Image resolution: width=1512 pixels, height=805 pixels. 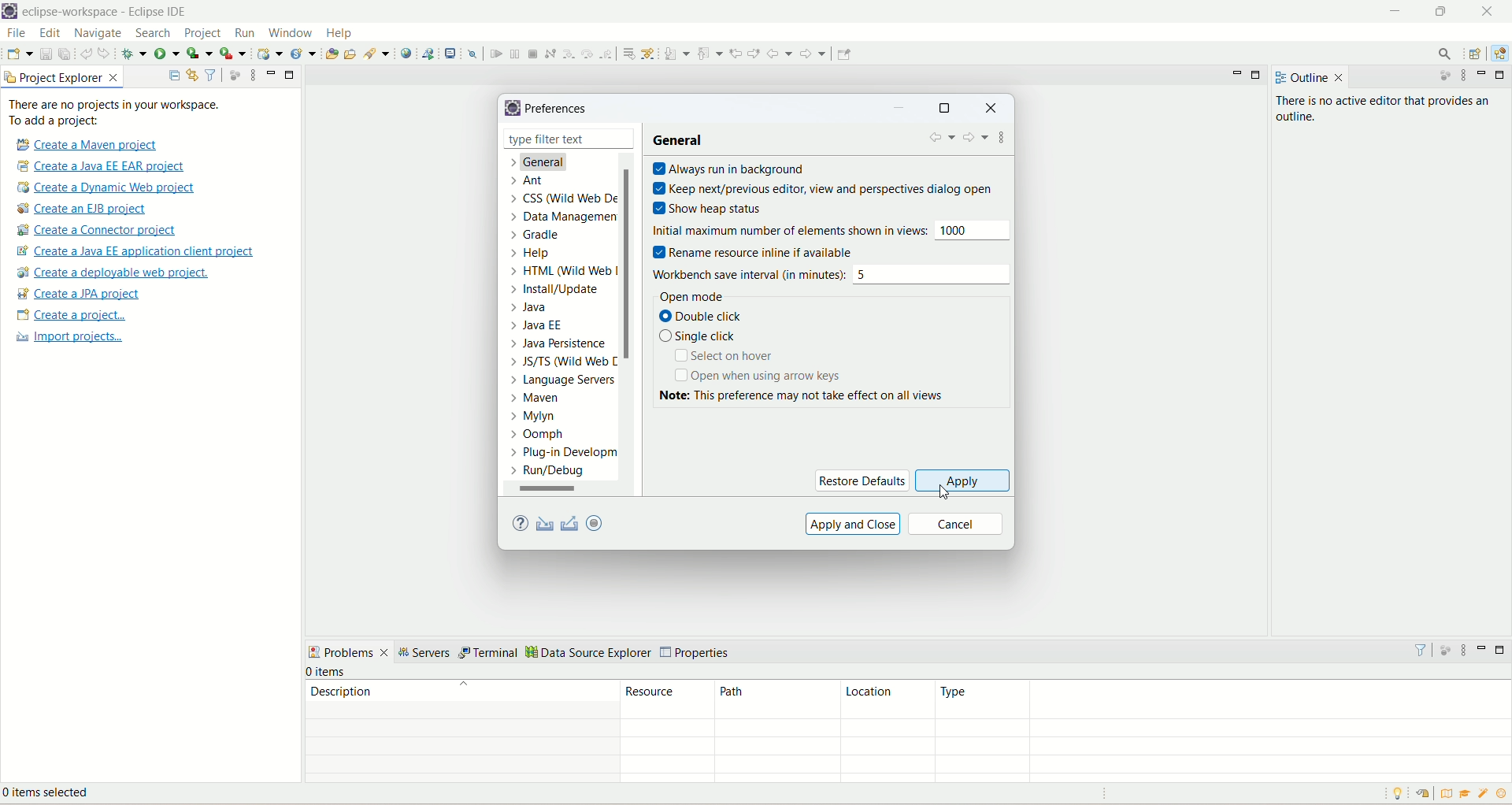 What do you see at coordinates (427, 653) in the screenshot?
I see `servers` at bounding box center [427, 653].